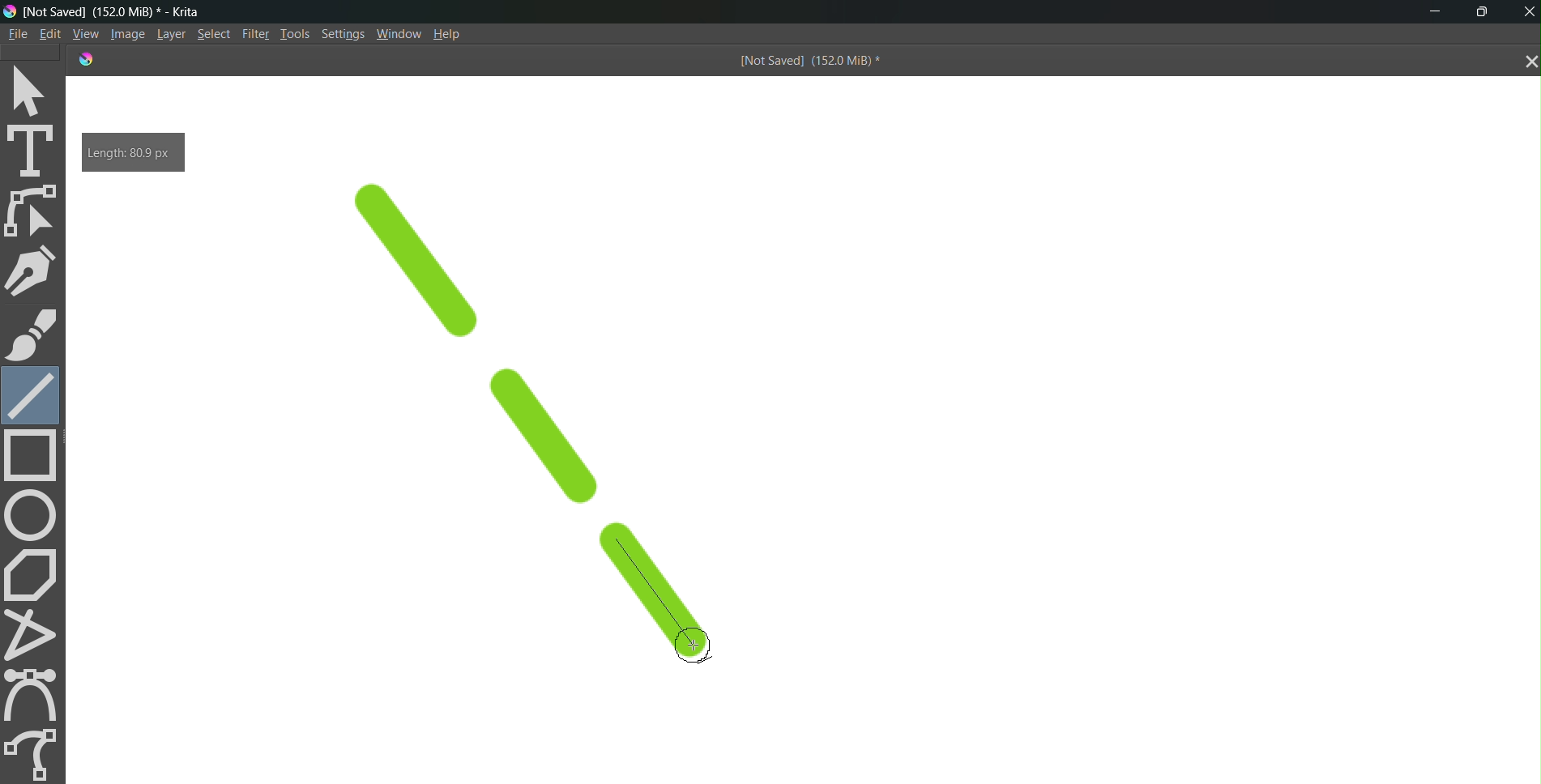 The width and height of the screenshot is (1541, 784). I want to click on polyline, so click(36, 634).